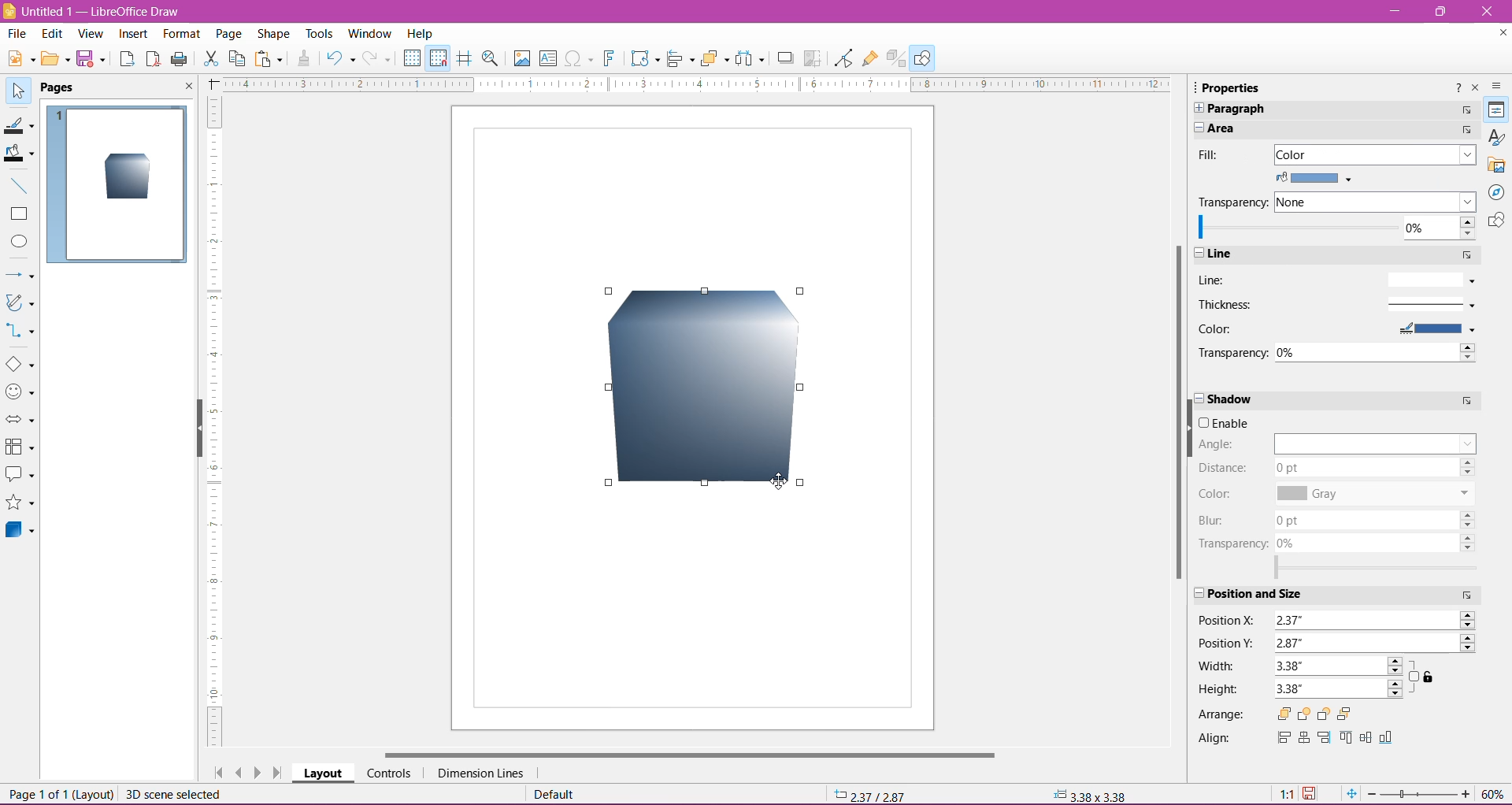 The image size is (1512, 805). I want to click on Emter a width for the selected object, so click(1342, 665).